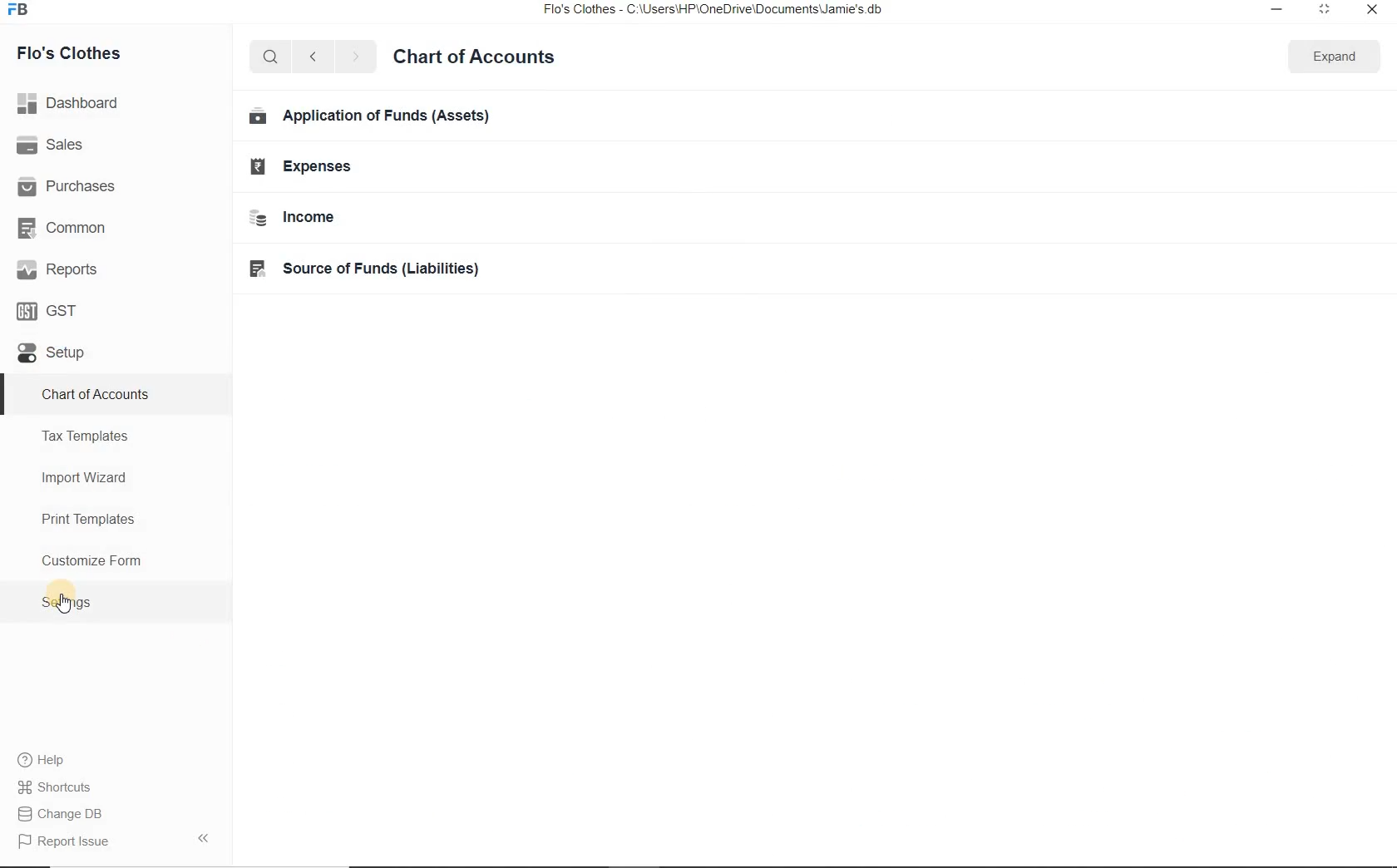  I want to click on Arrow, so click(207, 836).